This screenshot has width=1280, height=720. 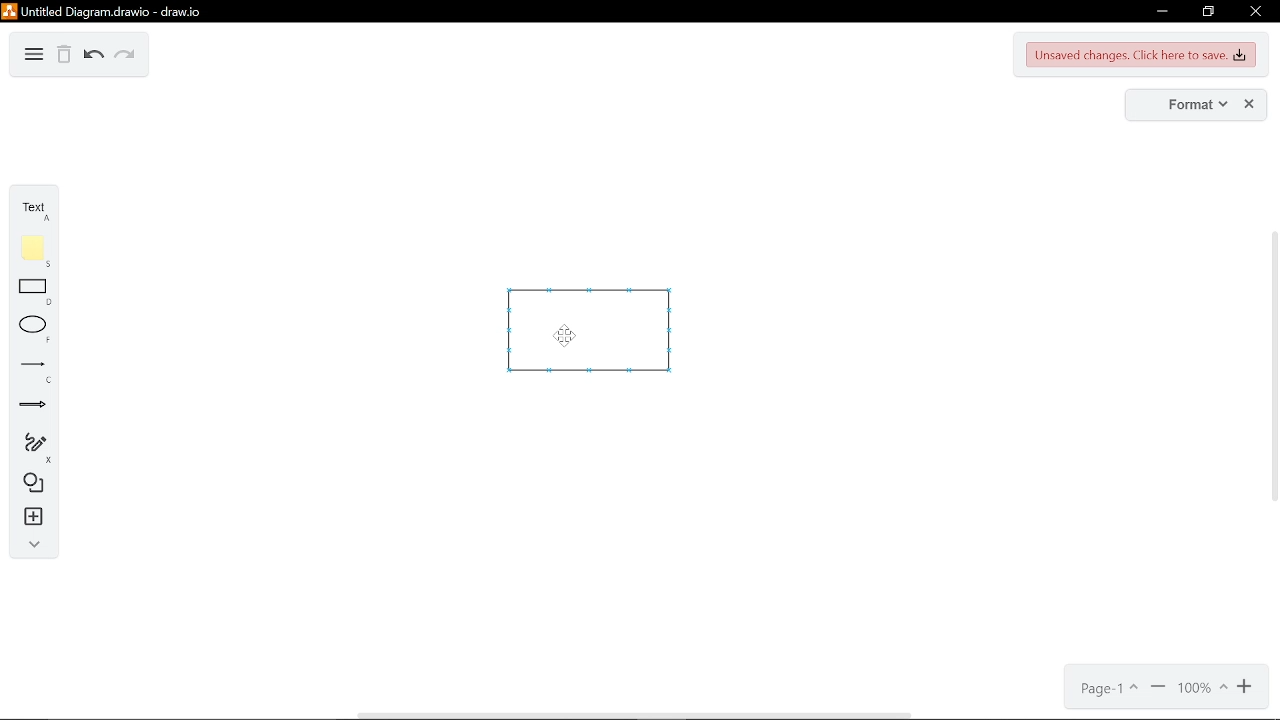 What do you see at coordinates (606, 346) in the screenshot?
I see `current shape` at bounding box center [606, 346].